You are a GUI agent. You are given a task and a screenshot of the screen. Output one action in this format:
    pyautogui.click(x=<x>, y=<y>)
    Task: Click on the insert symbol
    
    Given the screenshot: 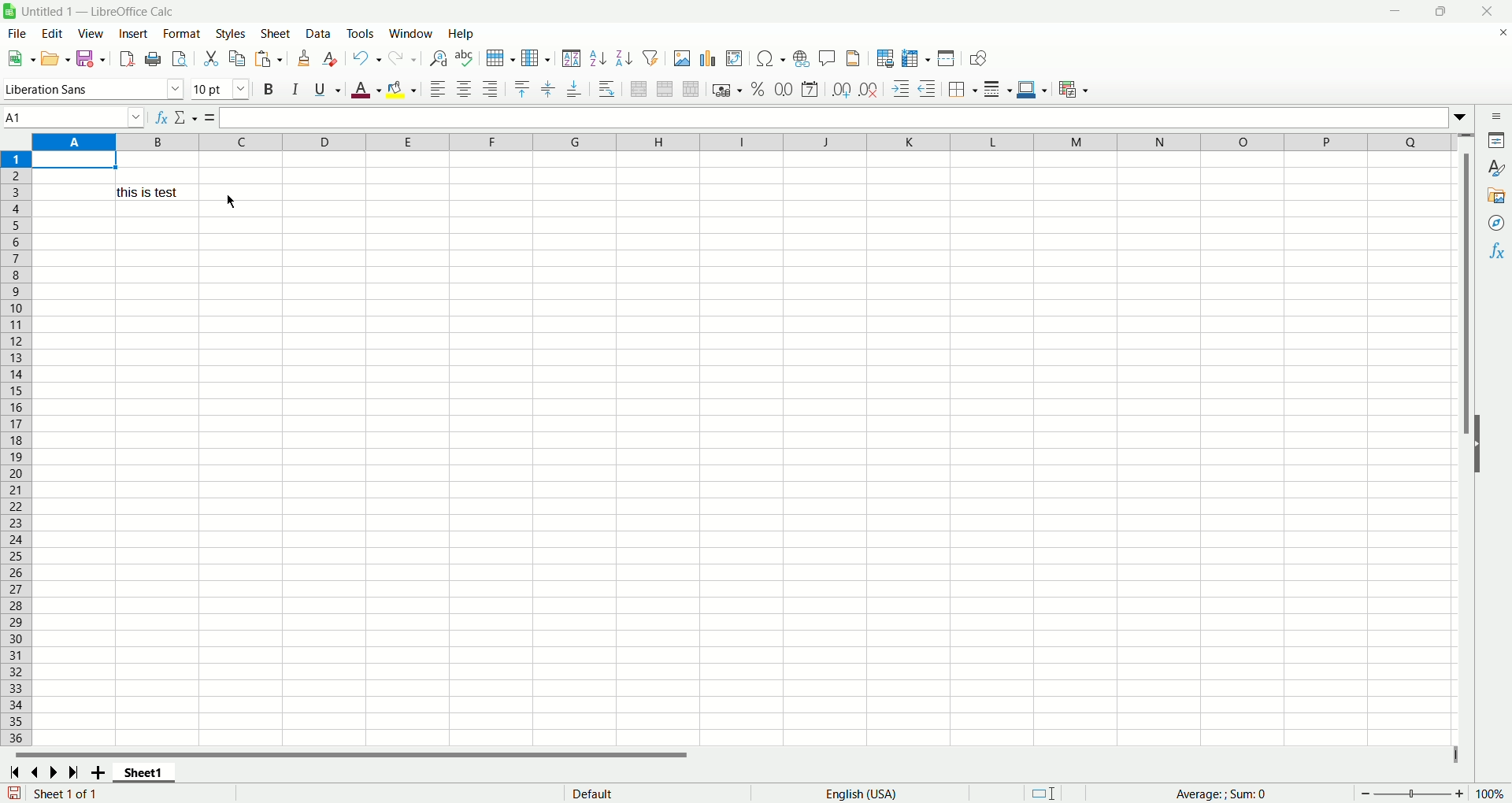 What is the action you would take?
    pyautogui.click(x=769, y=58)
    